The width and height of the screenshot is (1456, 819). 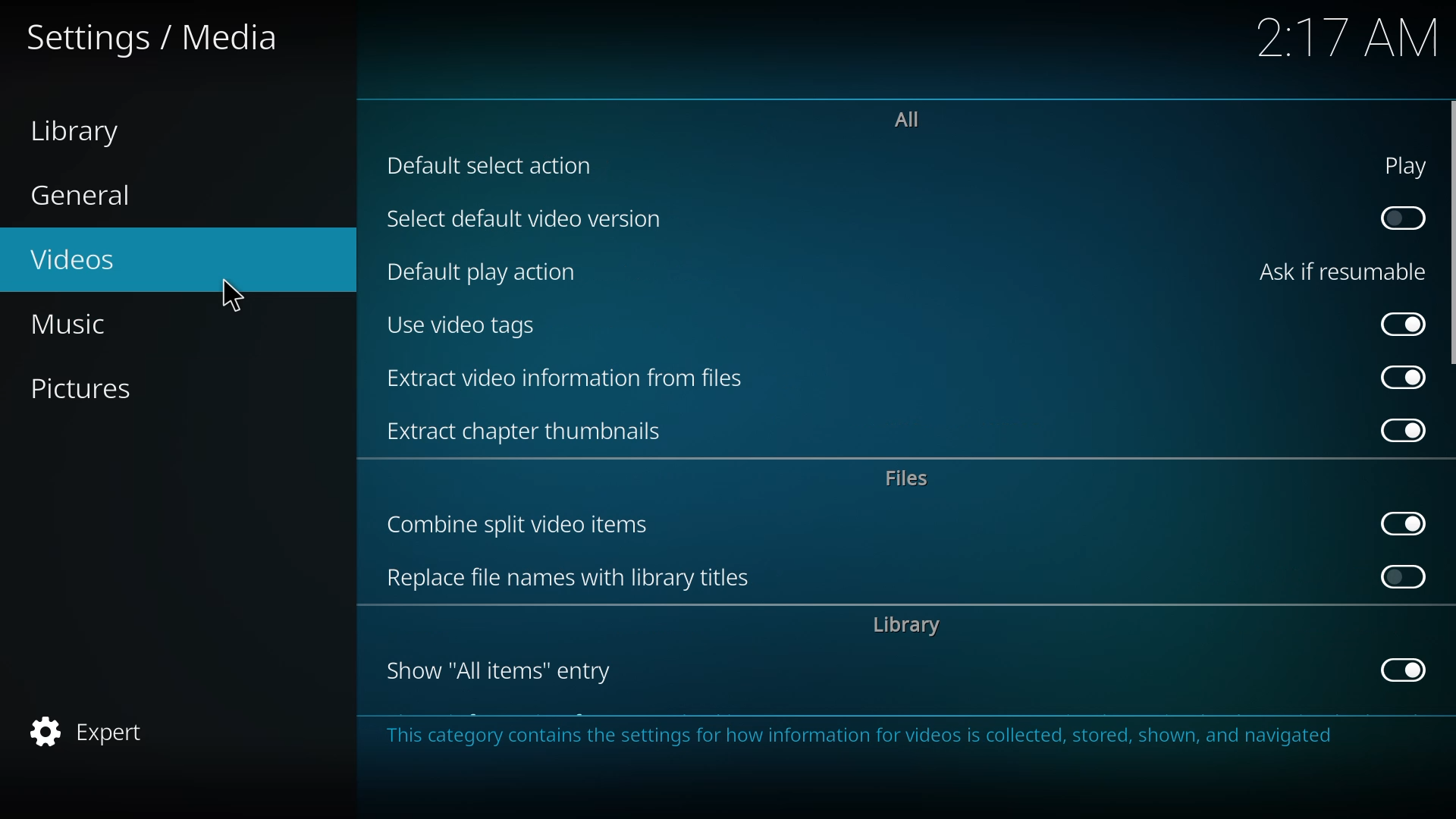 I want to click on enabled, so click(x=1401, y=521).